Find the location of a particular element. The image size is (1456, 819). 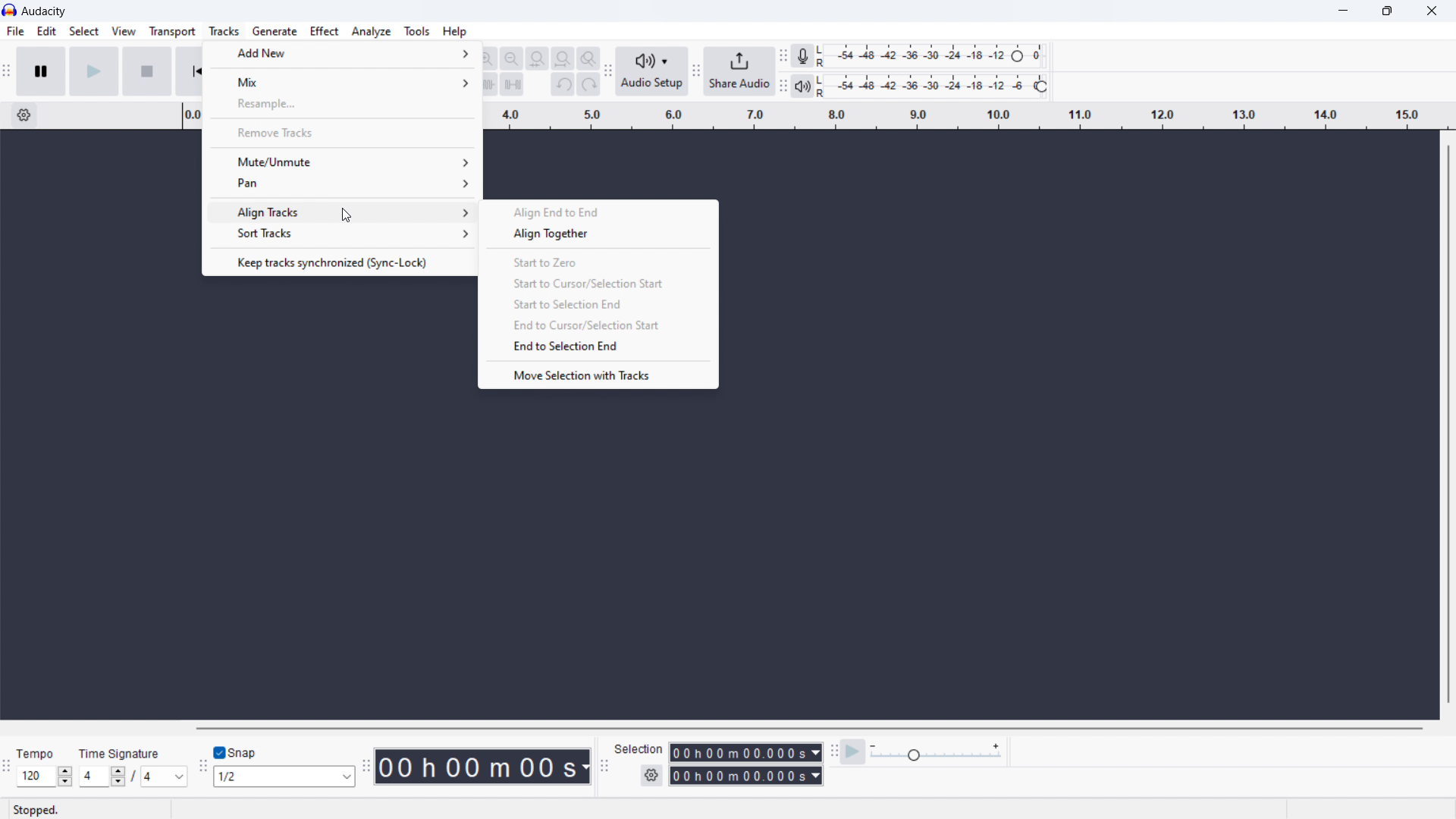

Audacity is located at coordinates (45, 11).